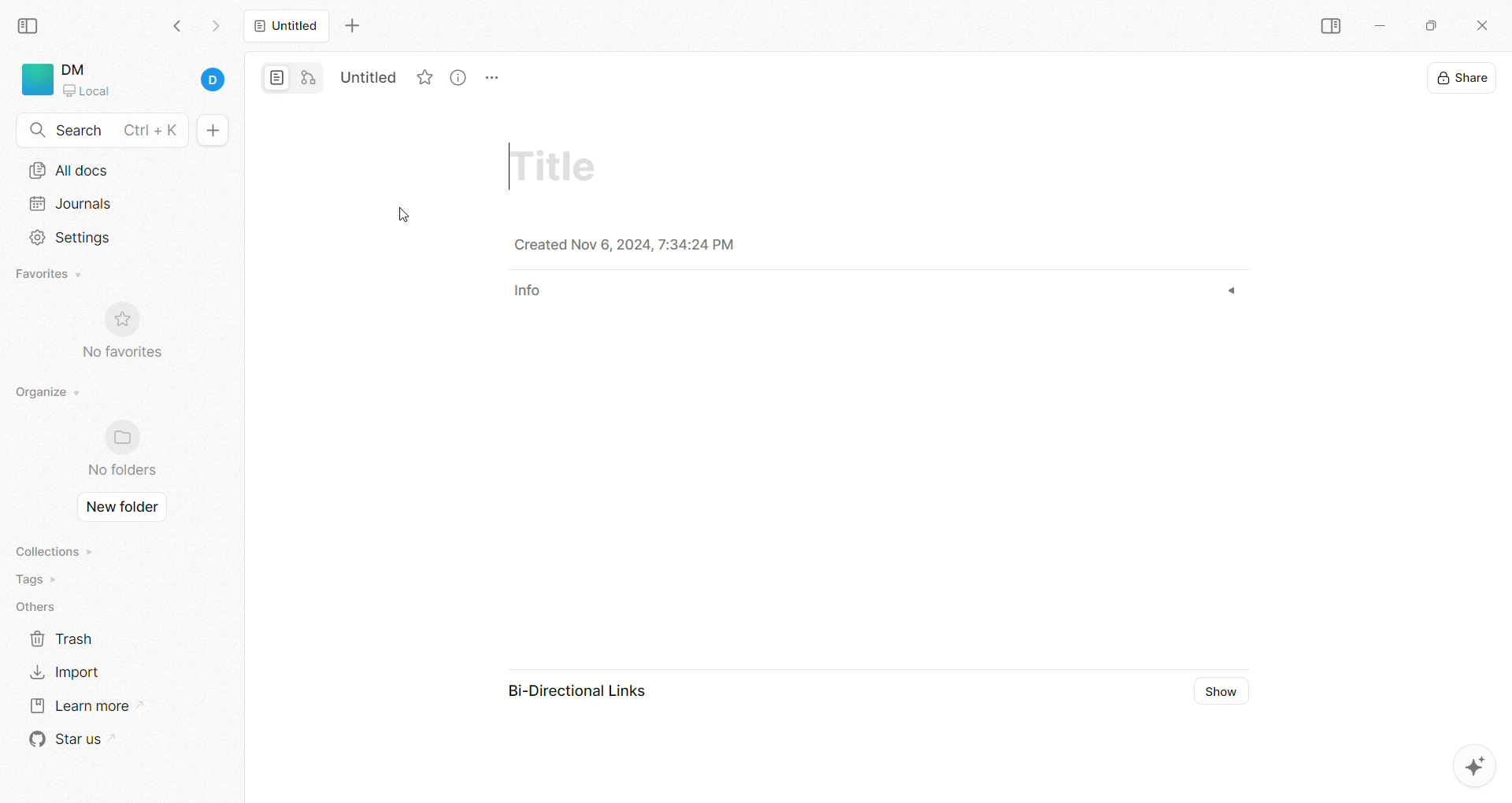 The width and height of the screenshot is (1512, 803). I want to click on logo, so click(35, 80).